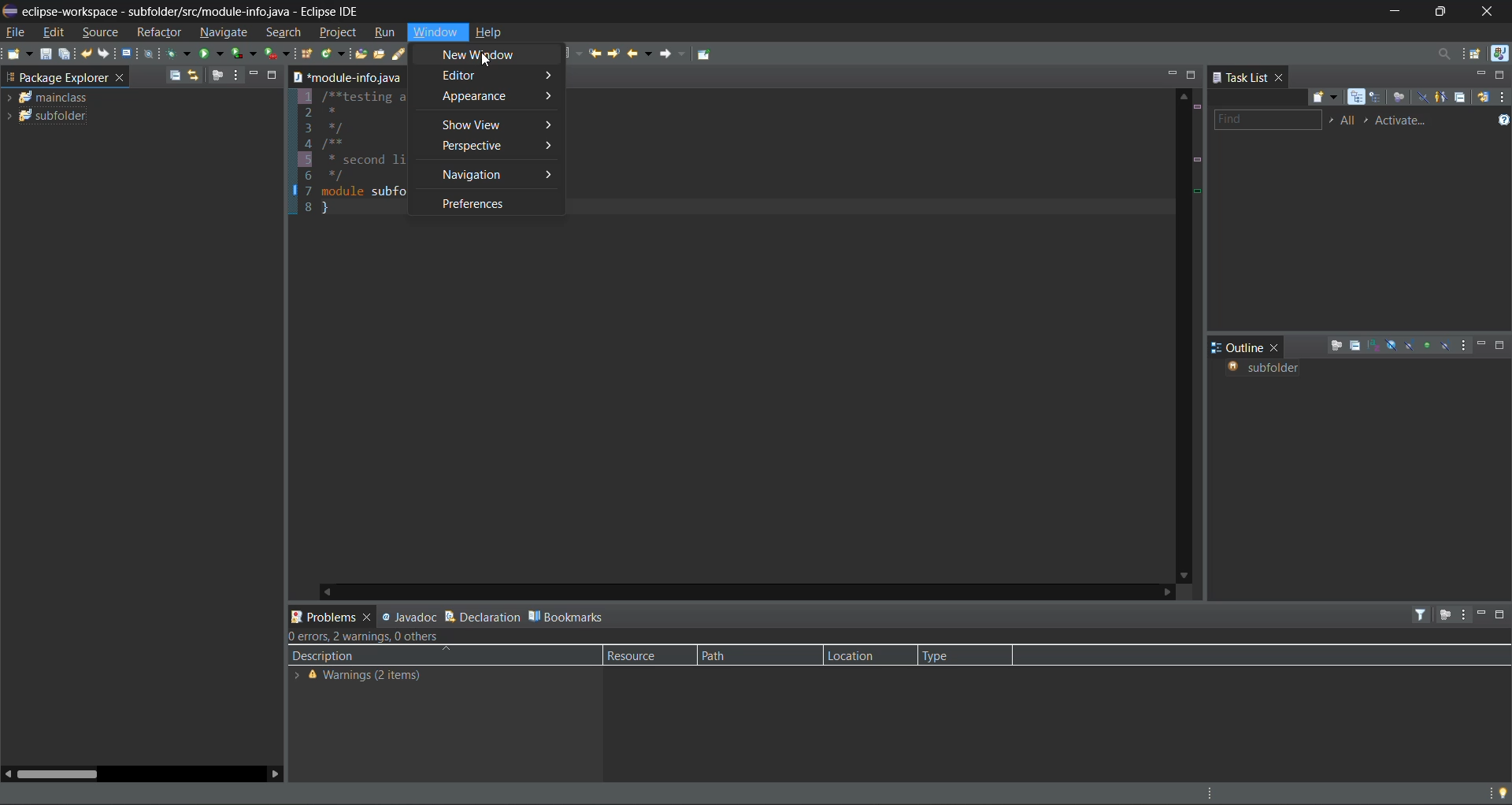 The width and height of the screenshot is (1512, 805). I want to click on close, so click(367, 619).